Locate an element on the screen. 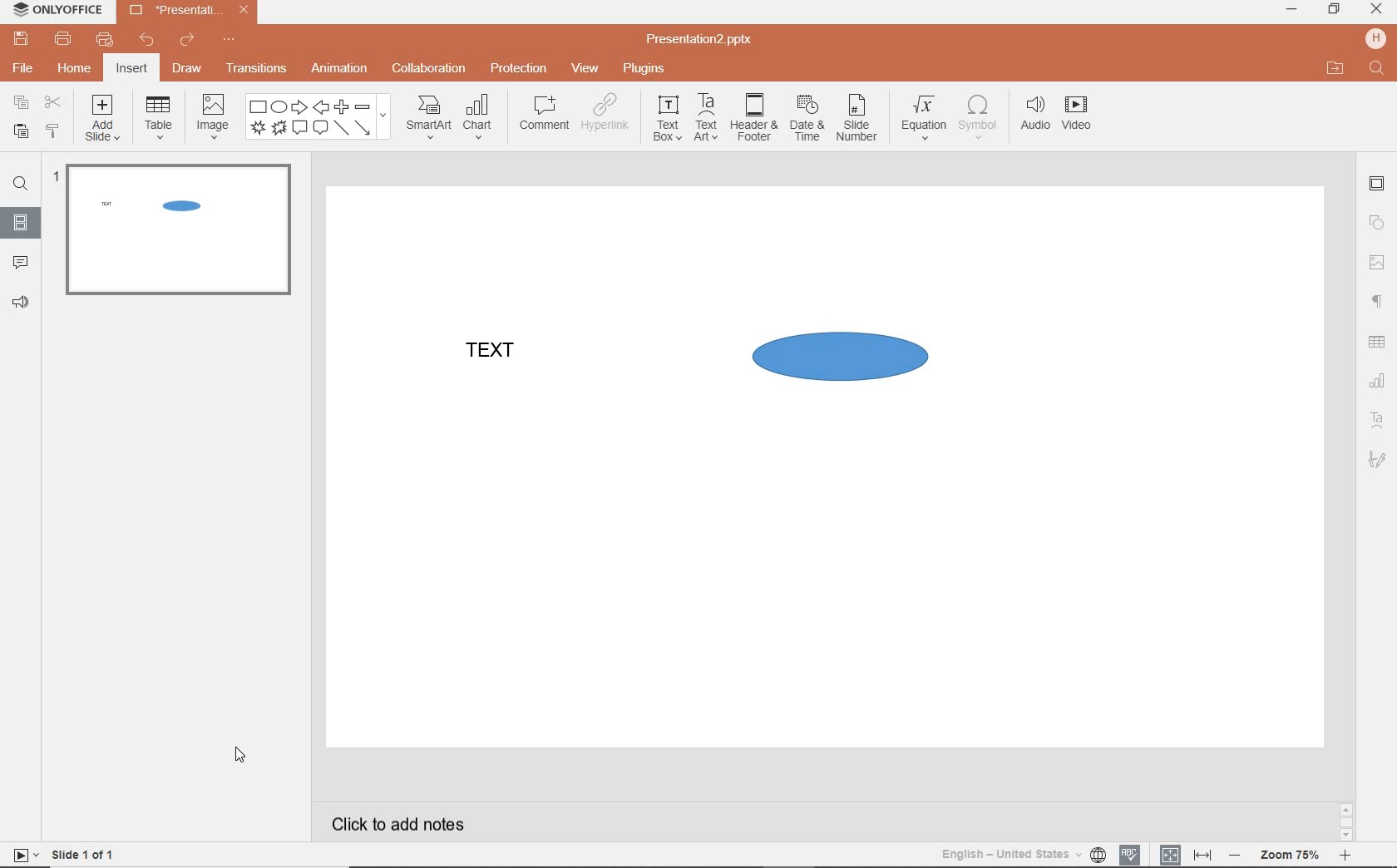  undo is located at coordinates (141, 41).